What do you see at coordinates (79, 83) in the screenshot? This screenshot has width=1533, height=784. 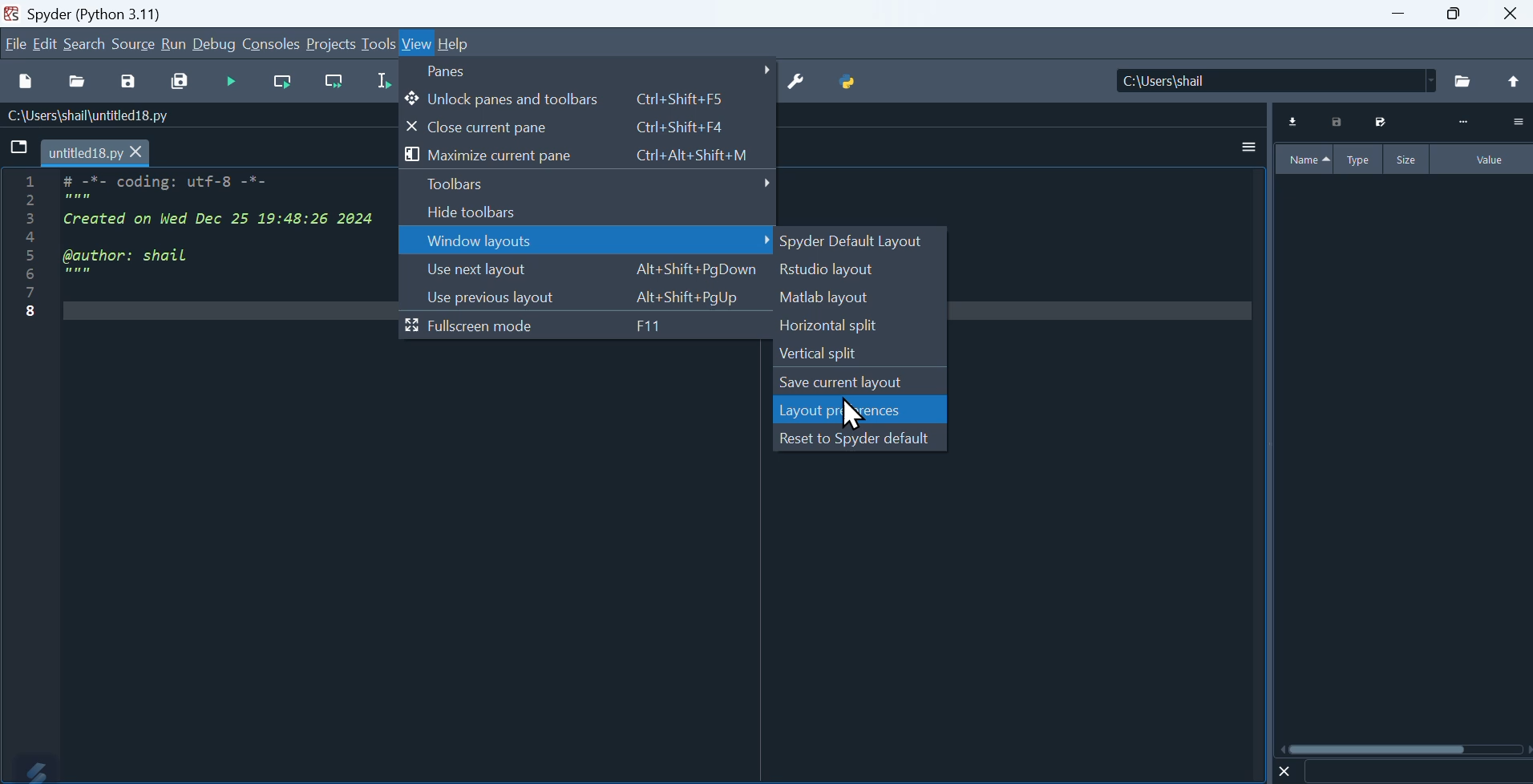 I see `Open` at bounding box center [79, 83].